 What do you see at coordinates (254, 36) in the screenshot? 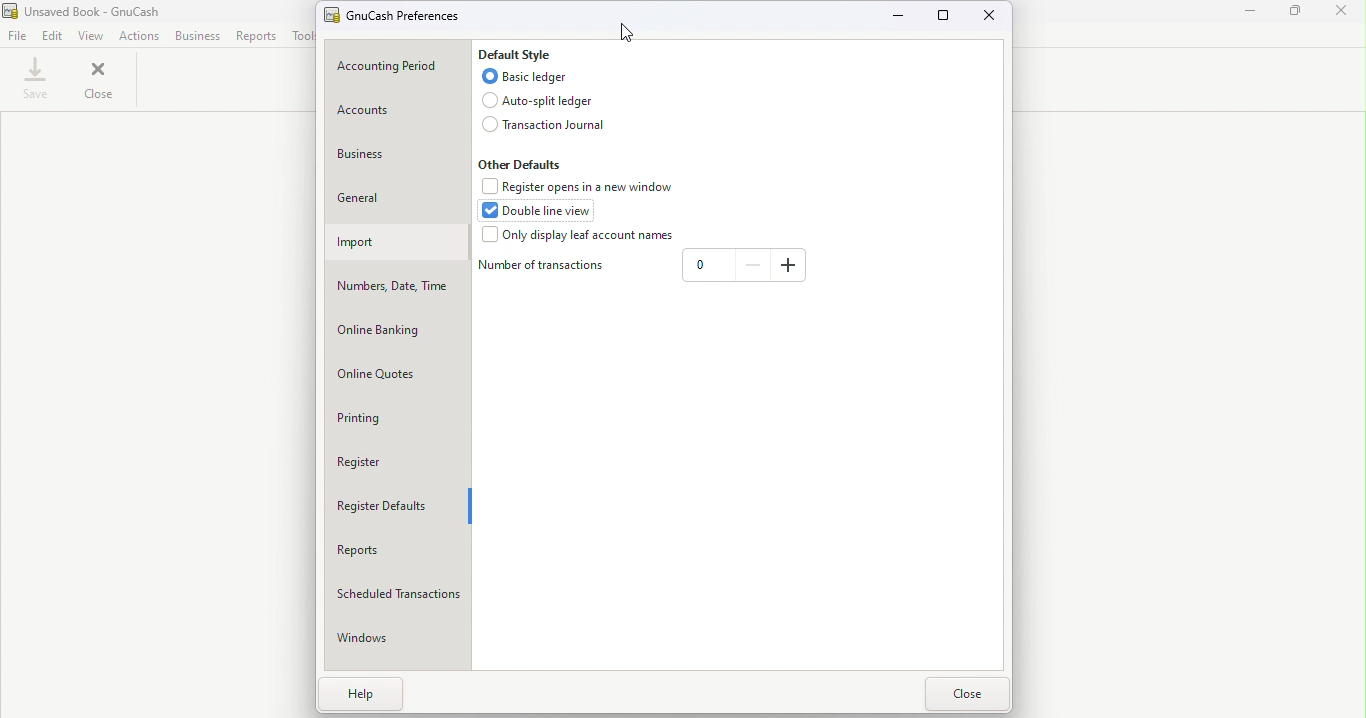
I see `Reports` at bounding box center [254, 36].